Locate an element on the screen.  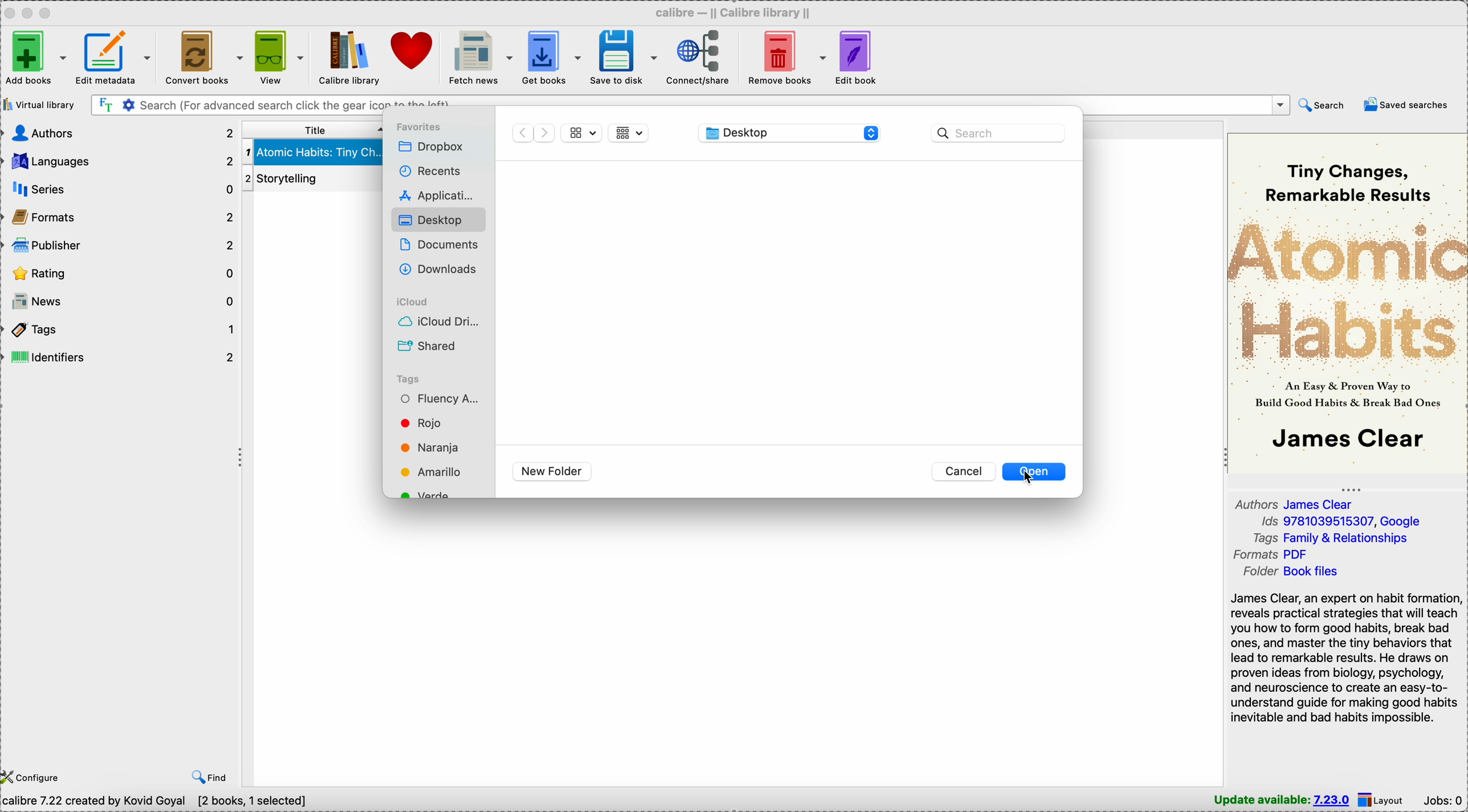
Fluency Academy tag is located at coordinates (443, 399).